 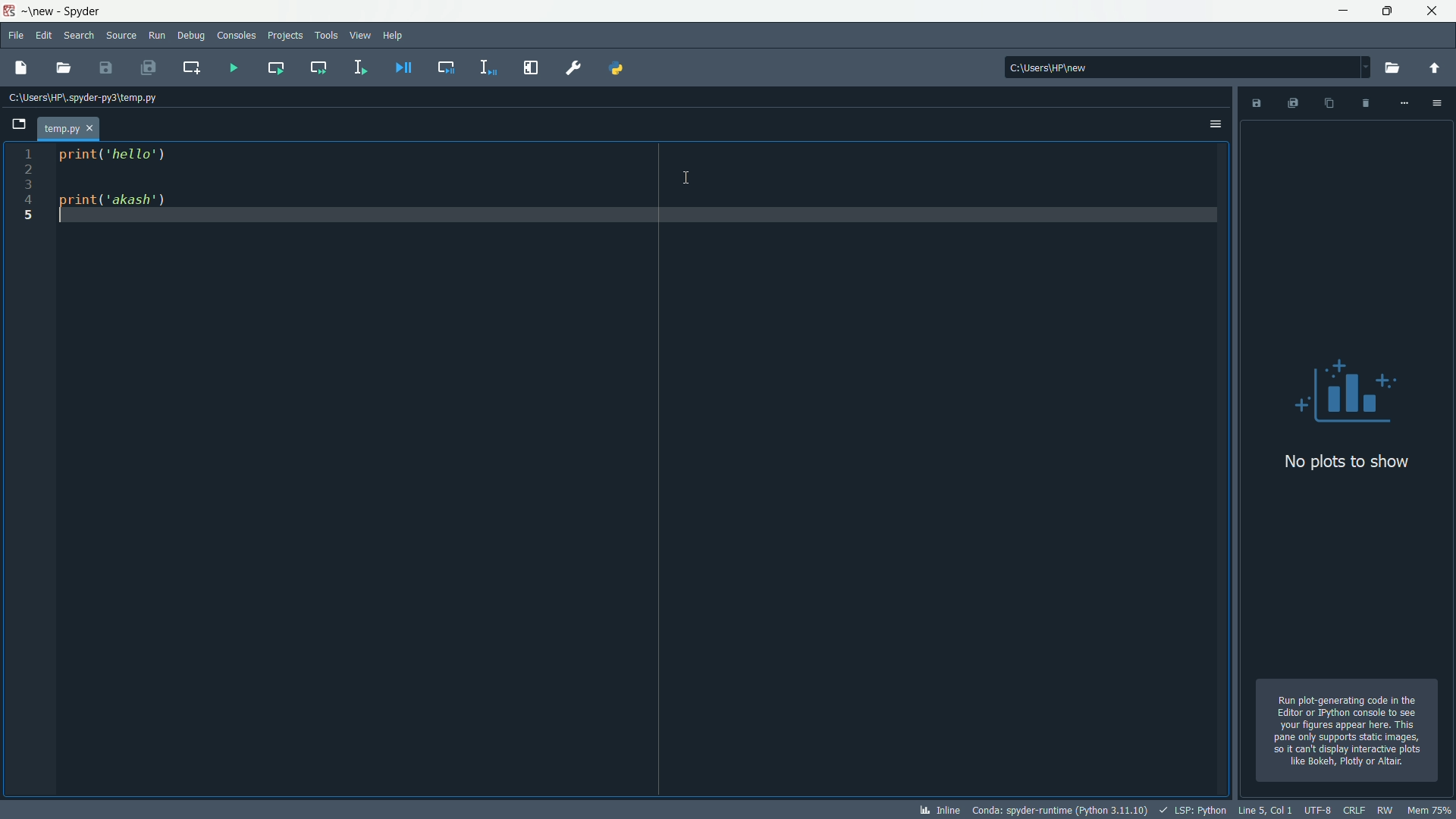 What do you see at coordinates (285, 35) in the screenshot?
I see `projects menu` at bounding box center [285, 35].